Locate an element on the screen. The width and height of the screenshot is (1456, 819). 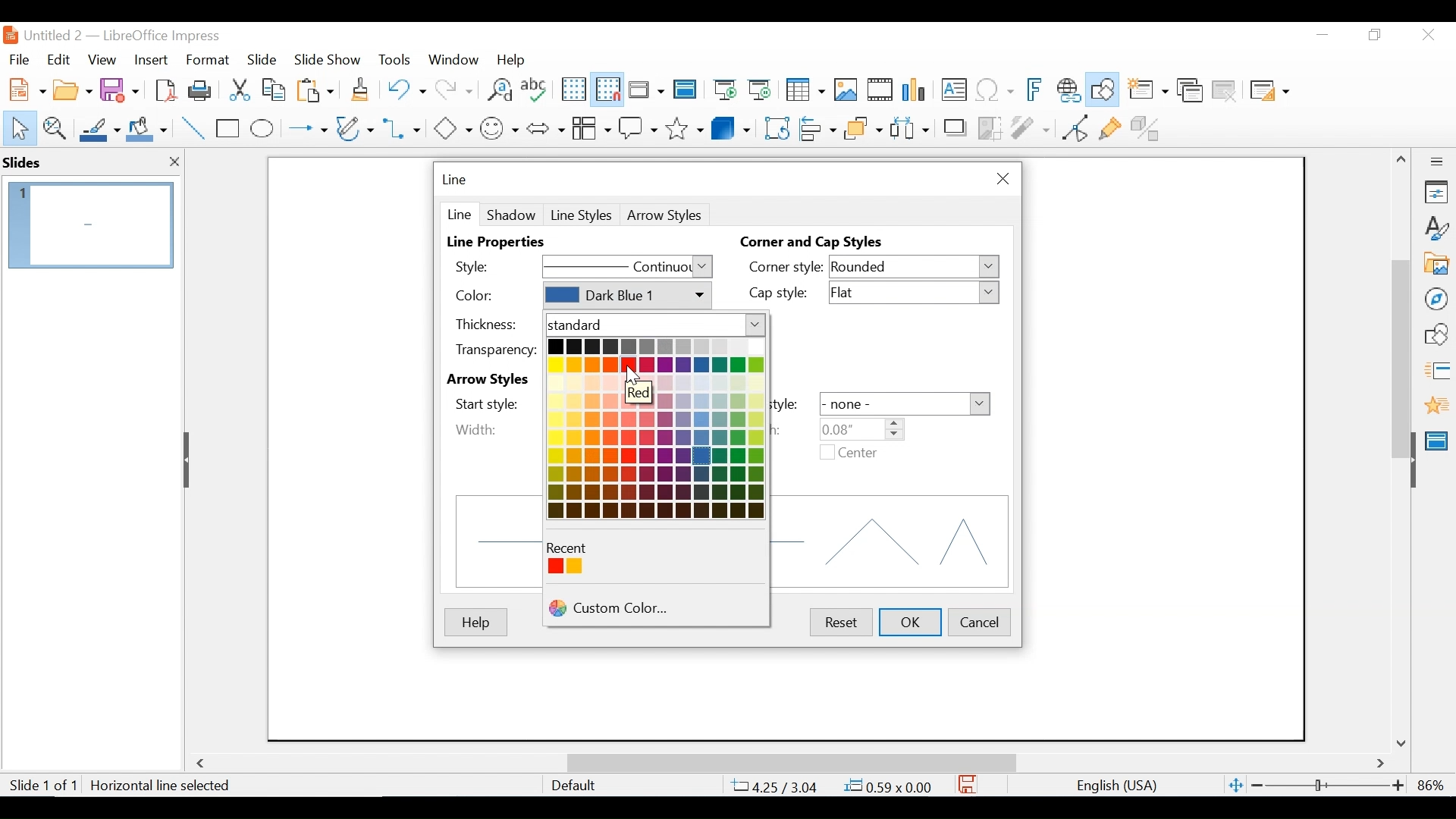
Hide is located at coordinates (1412, 457).